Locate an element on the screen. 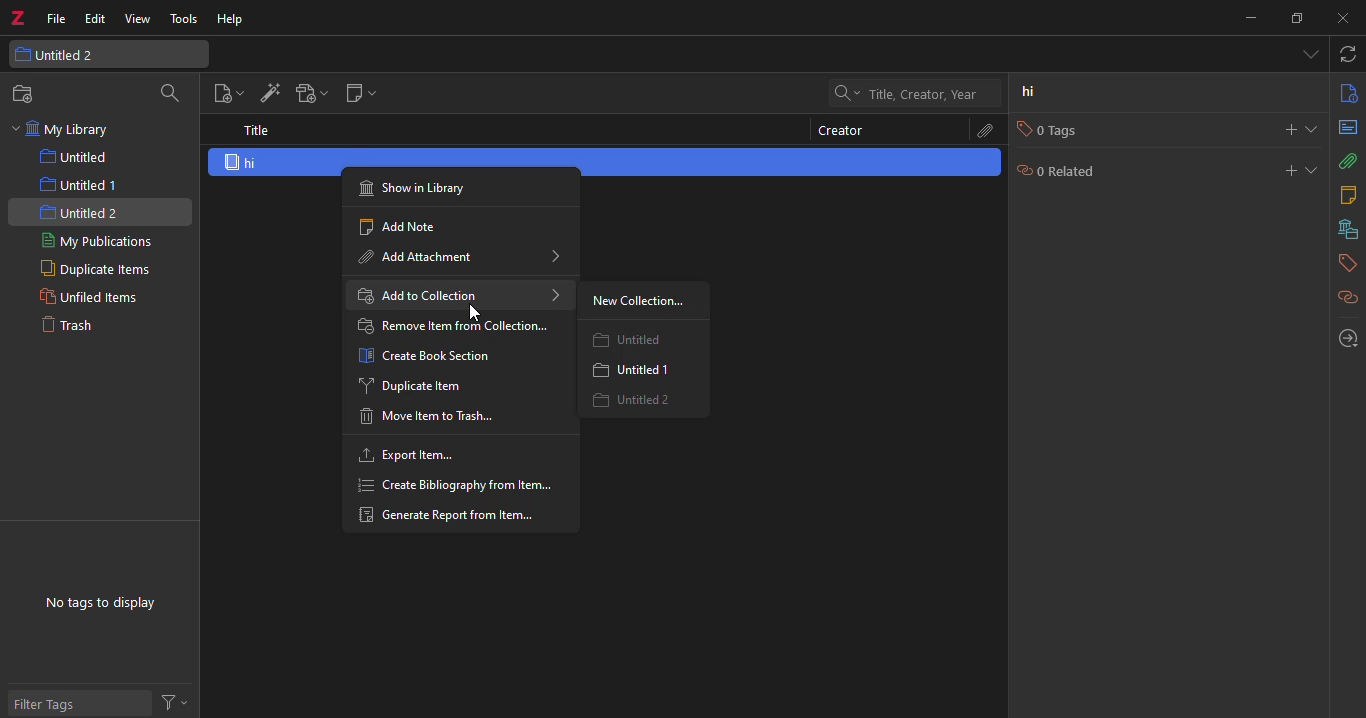 The width and height of the screenshot is (1366, 718). add is located at coordinates (1284, 128).